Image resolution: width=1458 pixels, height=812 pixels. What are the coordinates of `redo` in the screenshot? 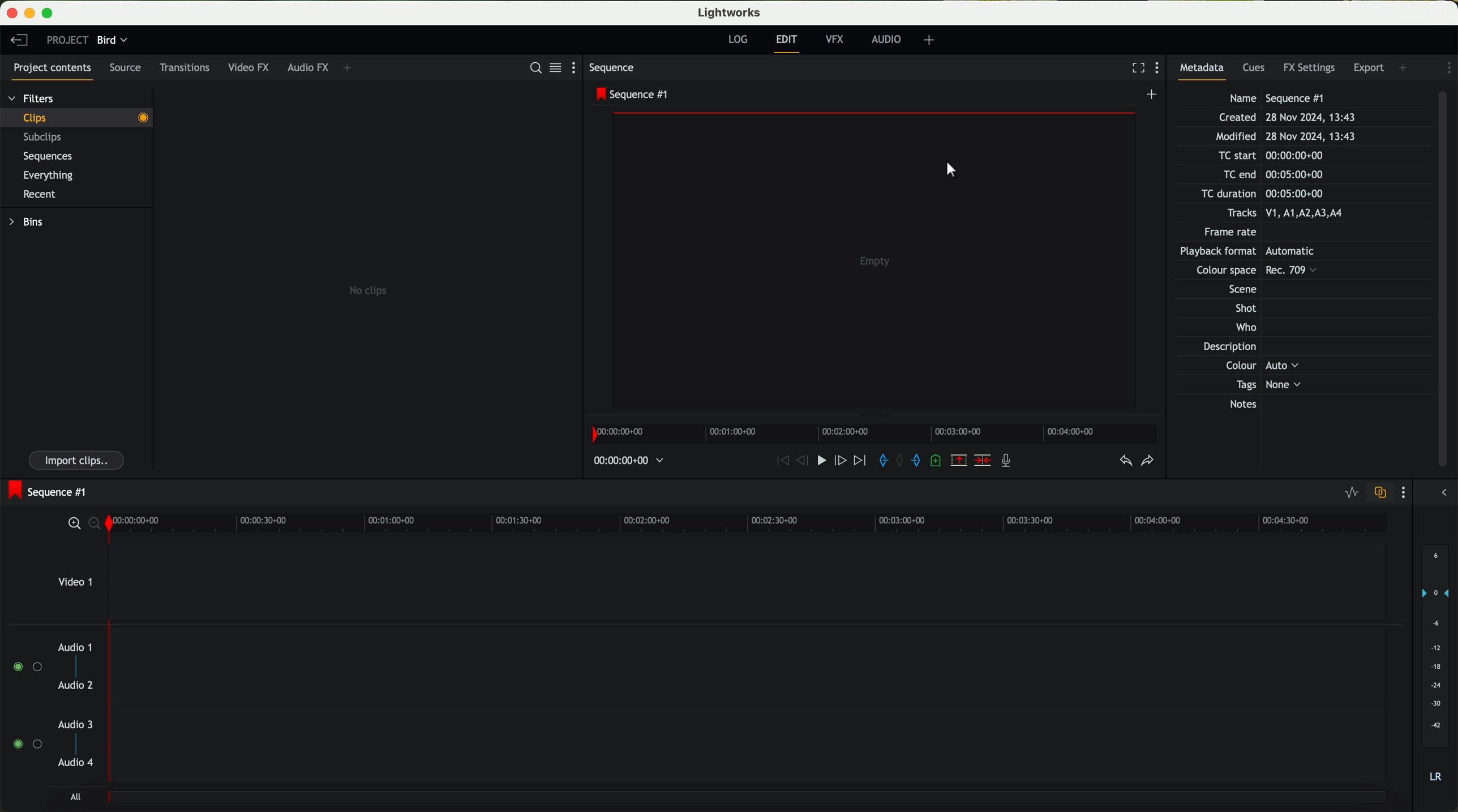 It's located at (1149, 461).